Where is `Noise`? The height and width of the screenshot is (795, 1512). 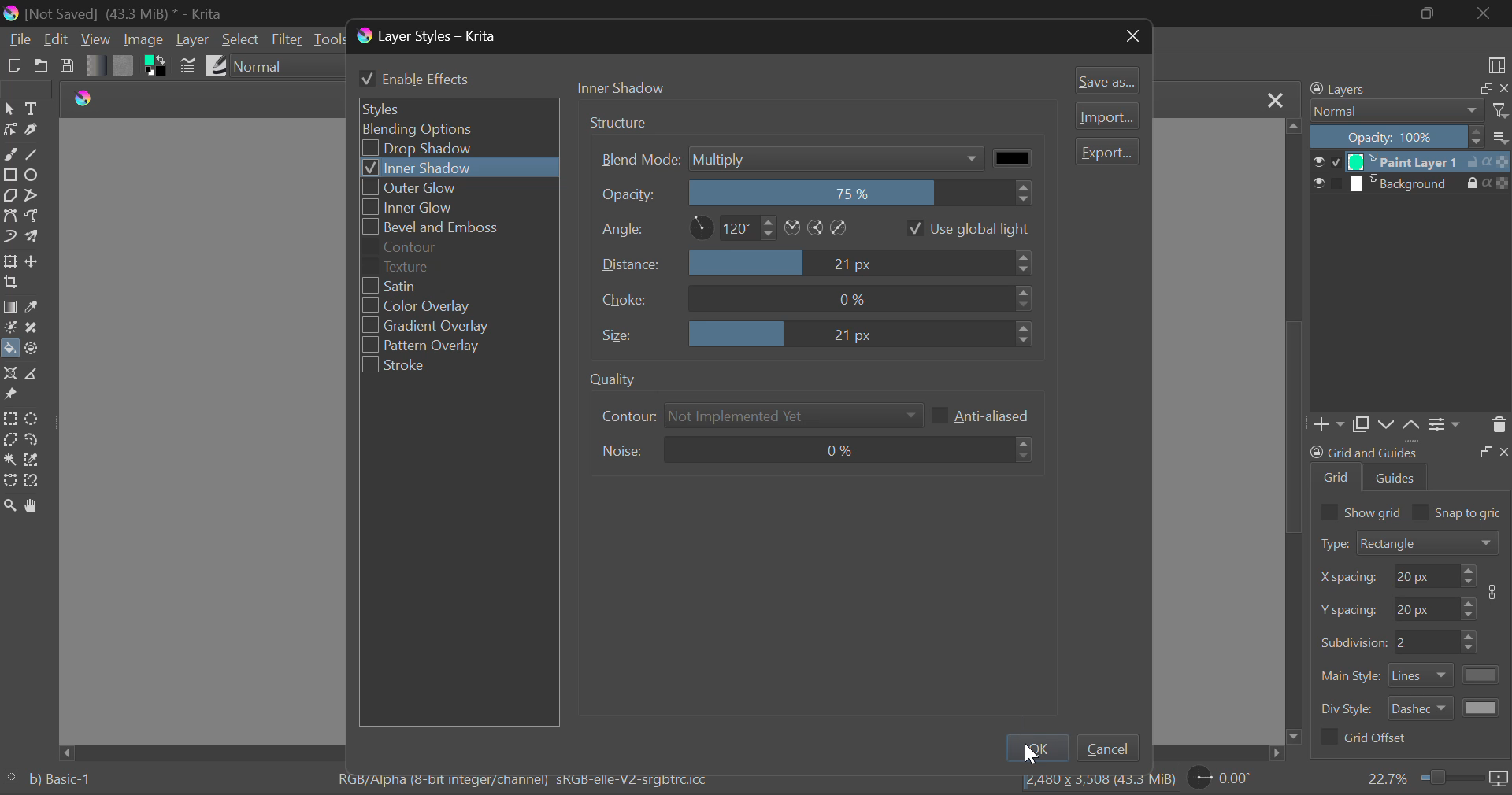
Noise is located at coordinates (819, 450).